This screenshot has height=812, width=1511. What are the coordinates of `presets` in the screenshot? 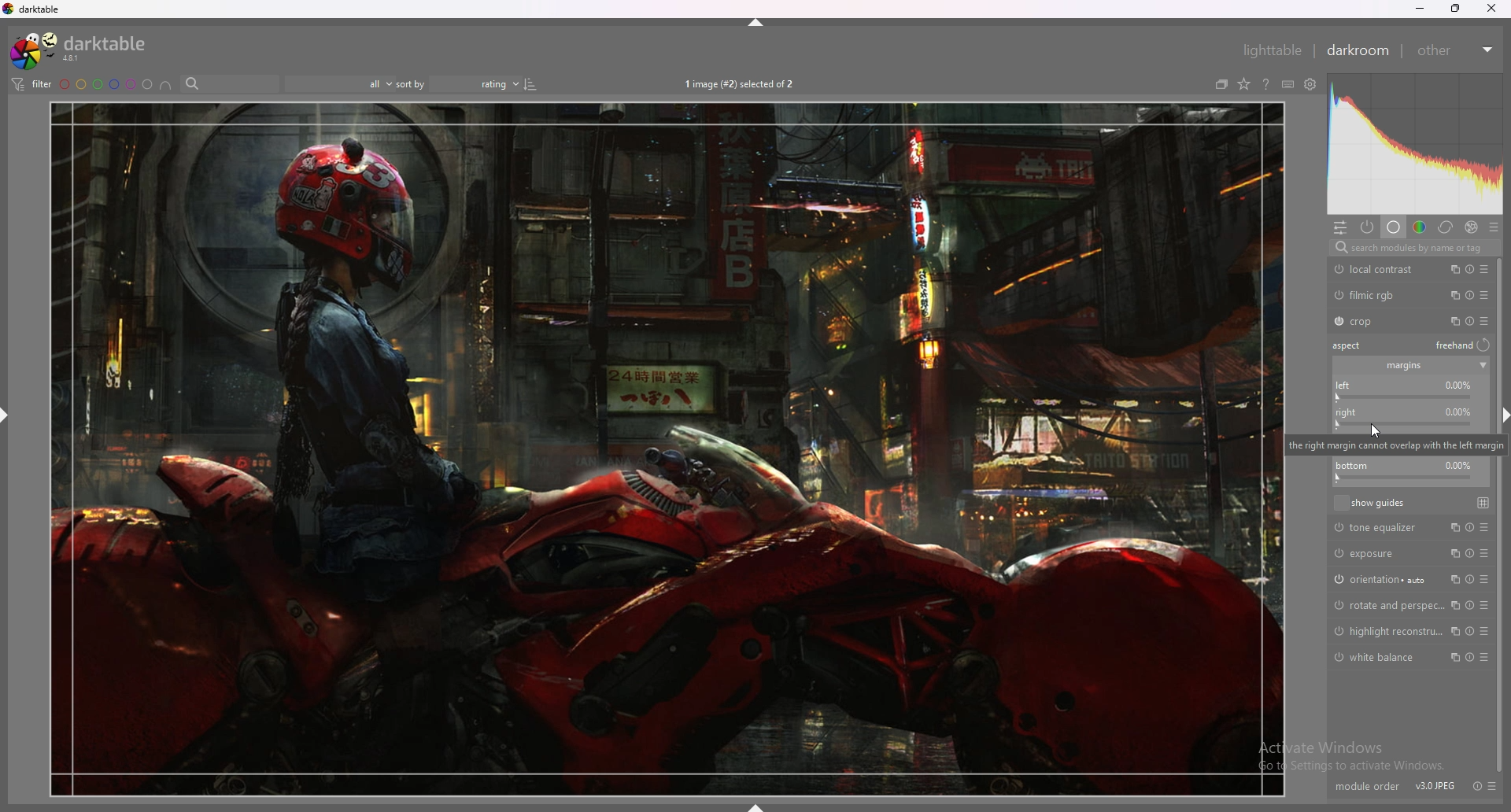 It's located at (1486, 554).